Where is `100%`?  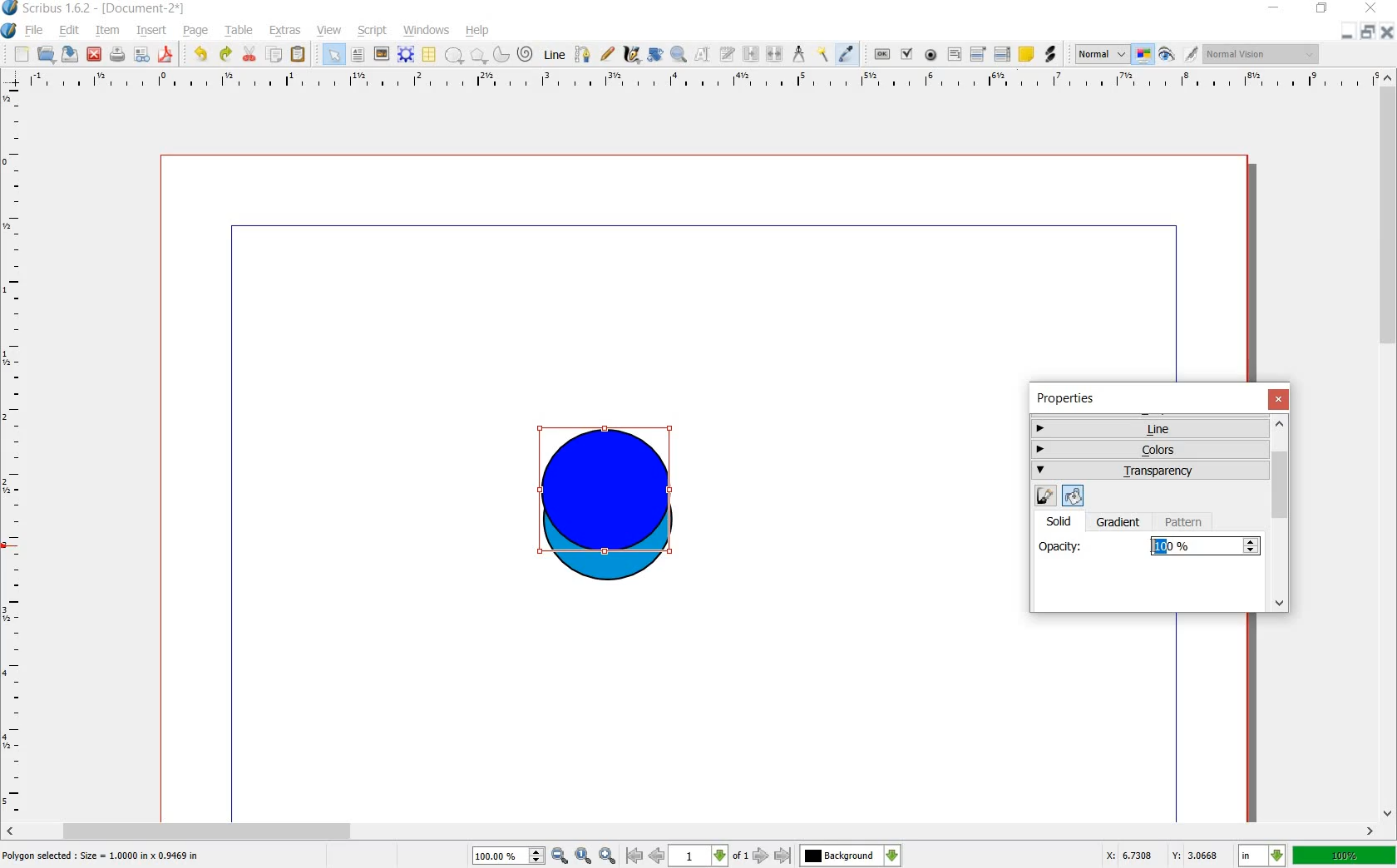
100% is located at coordinates (499, 855).